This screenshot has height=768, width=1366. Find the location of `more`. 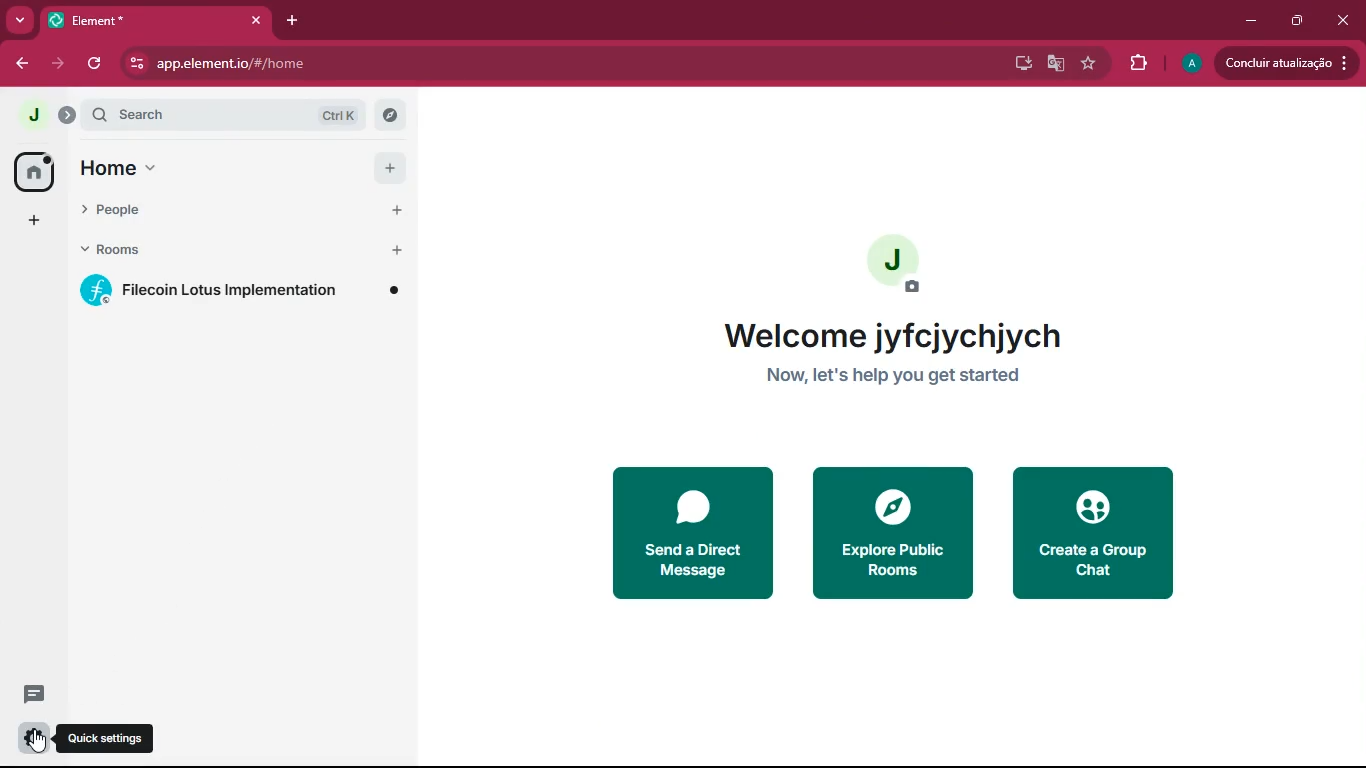

more is located at coordinates (20, 19).